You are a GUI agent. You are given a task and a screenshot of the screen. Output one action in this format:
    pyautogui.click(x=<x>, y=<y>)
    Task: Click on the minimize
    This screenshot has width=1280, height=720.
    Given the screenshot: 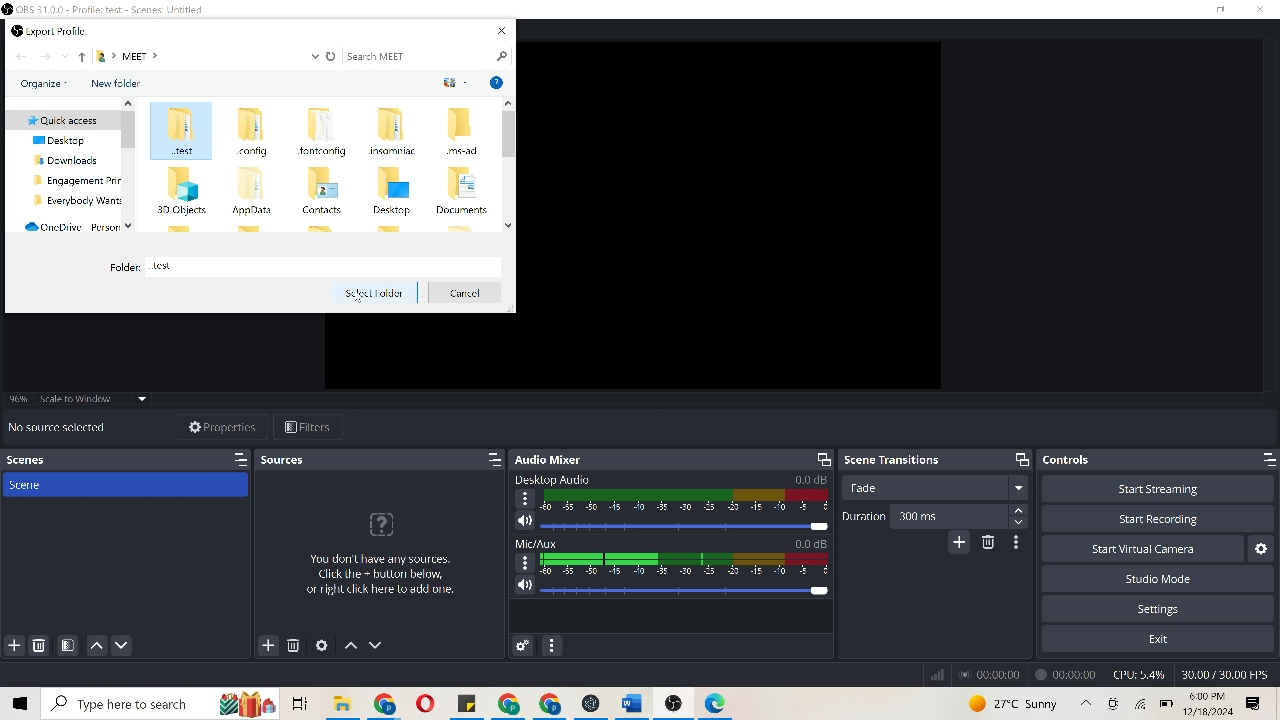 What is the action you would take?
    pyautogui.click(x=1222, y=11)
    